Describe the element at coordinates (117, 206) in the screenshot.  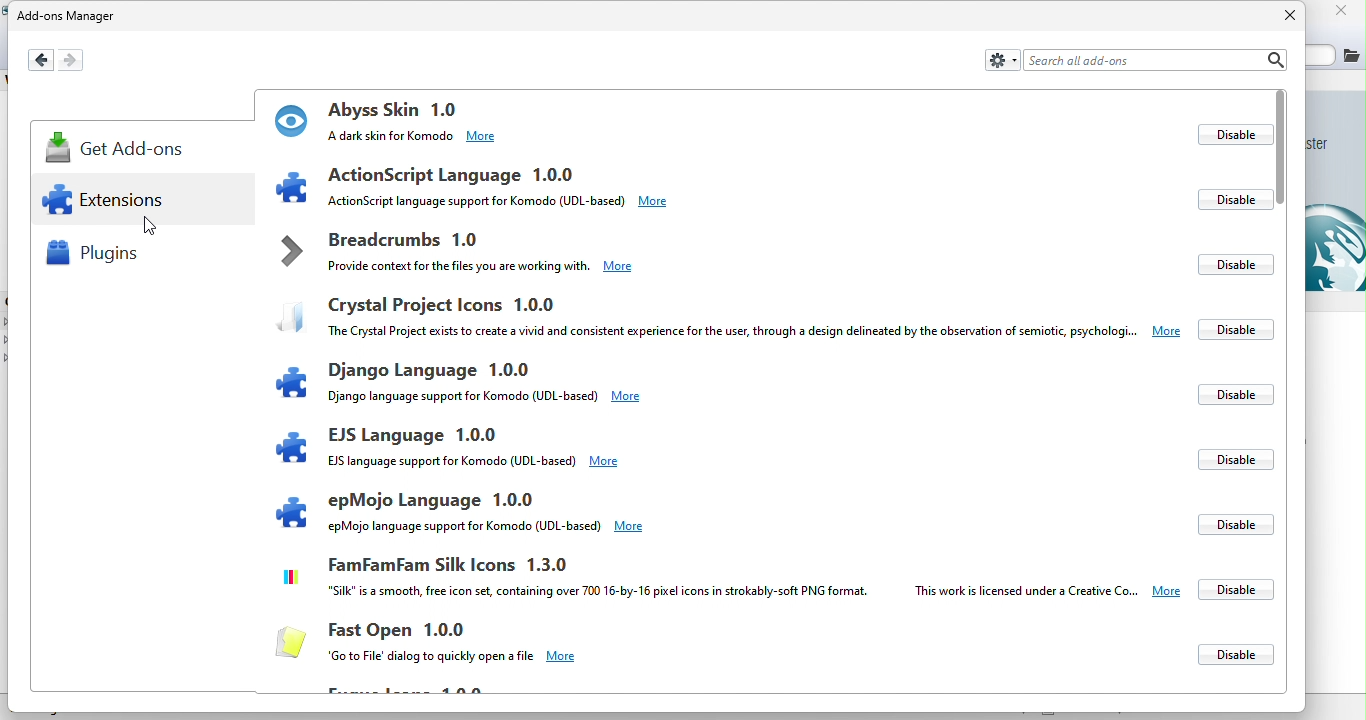
I see `extensions` at that location.